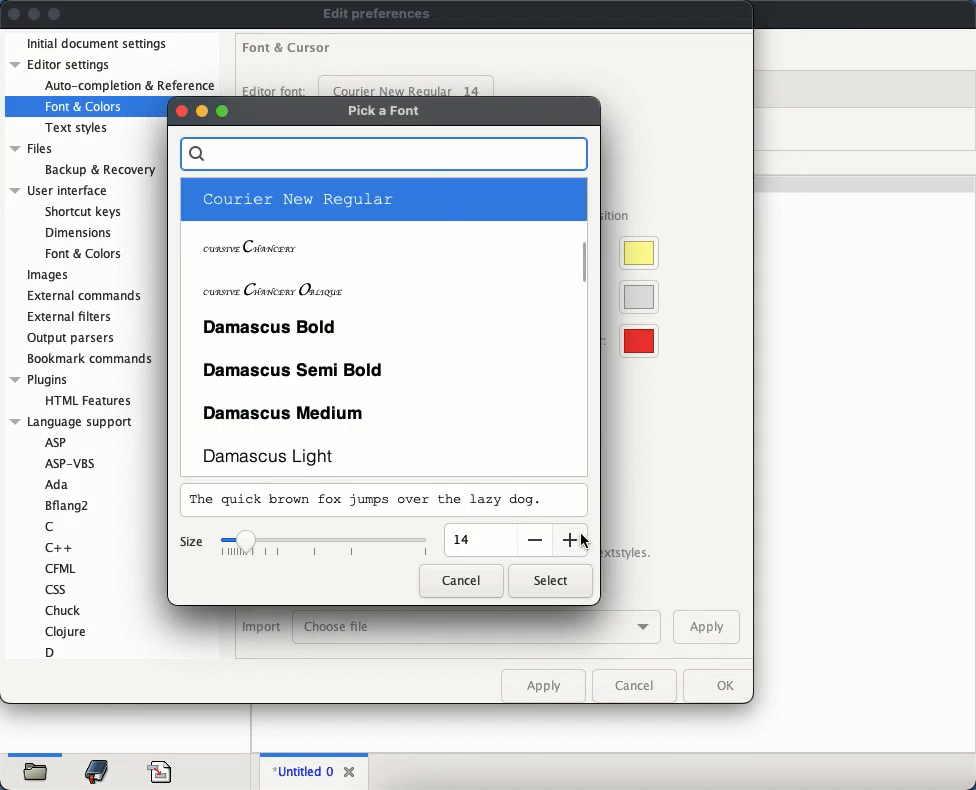 The width and height of the screenshot is (976, 790). Describe the element at coordinates (64, 64) in the screenshot. I see `editor settings` at that location.